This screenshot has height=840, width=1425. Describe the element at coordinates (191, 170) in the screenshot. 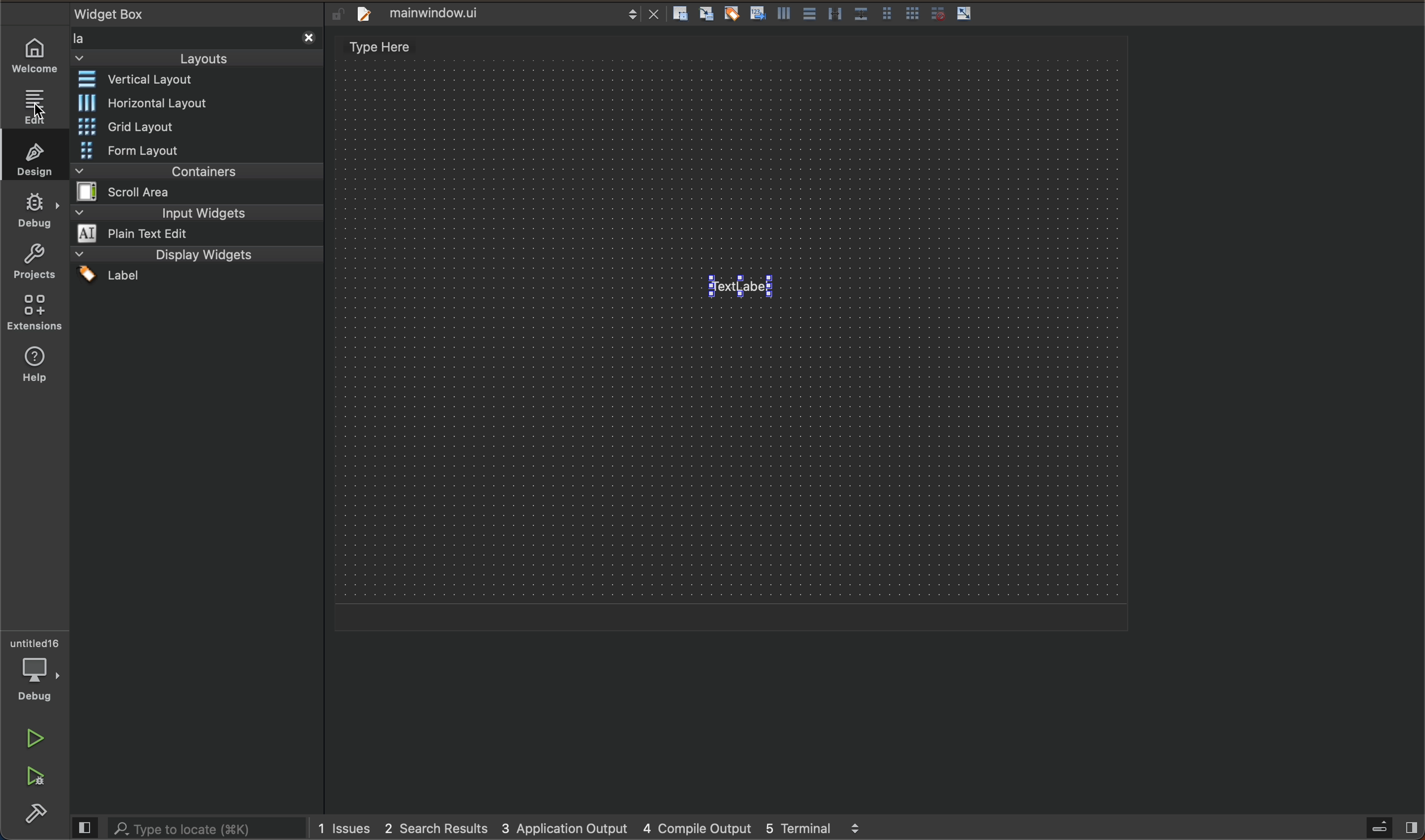

I see `containers` at that location.